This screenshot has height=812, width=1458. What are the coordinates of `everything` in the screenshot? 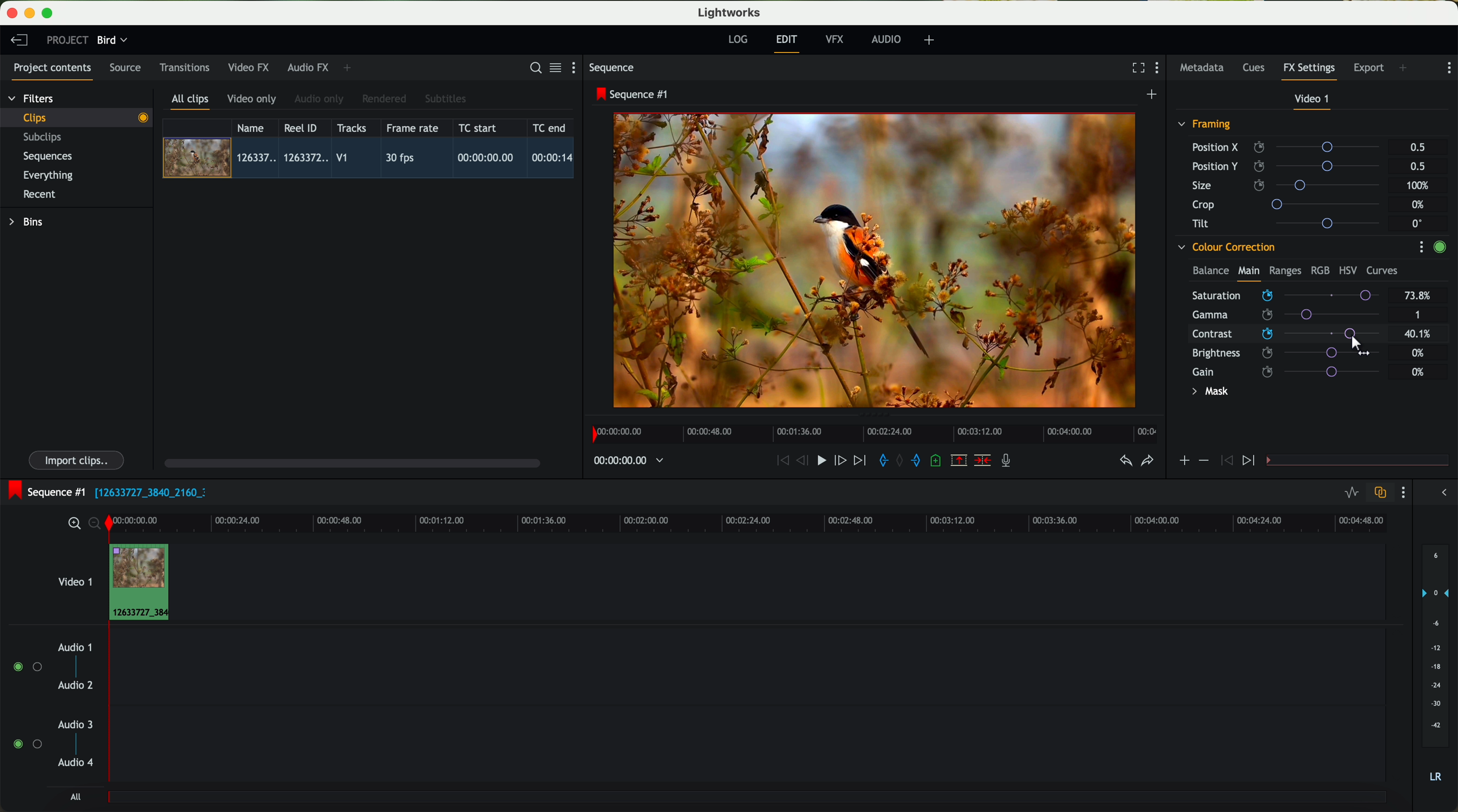 It's located at (49, 175).